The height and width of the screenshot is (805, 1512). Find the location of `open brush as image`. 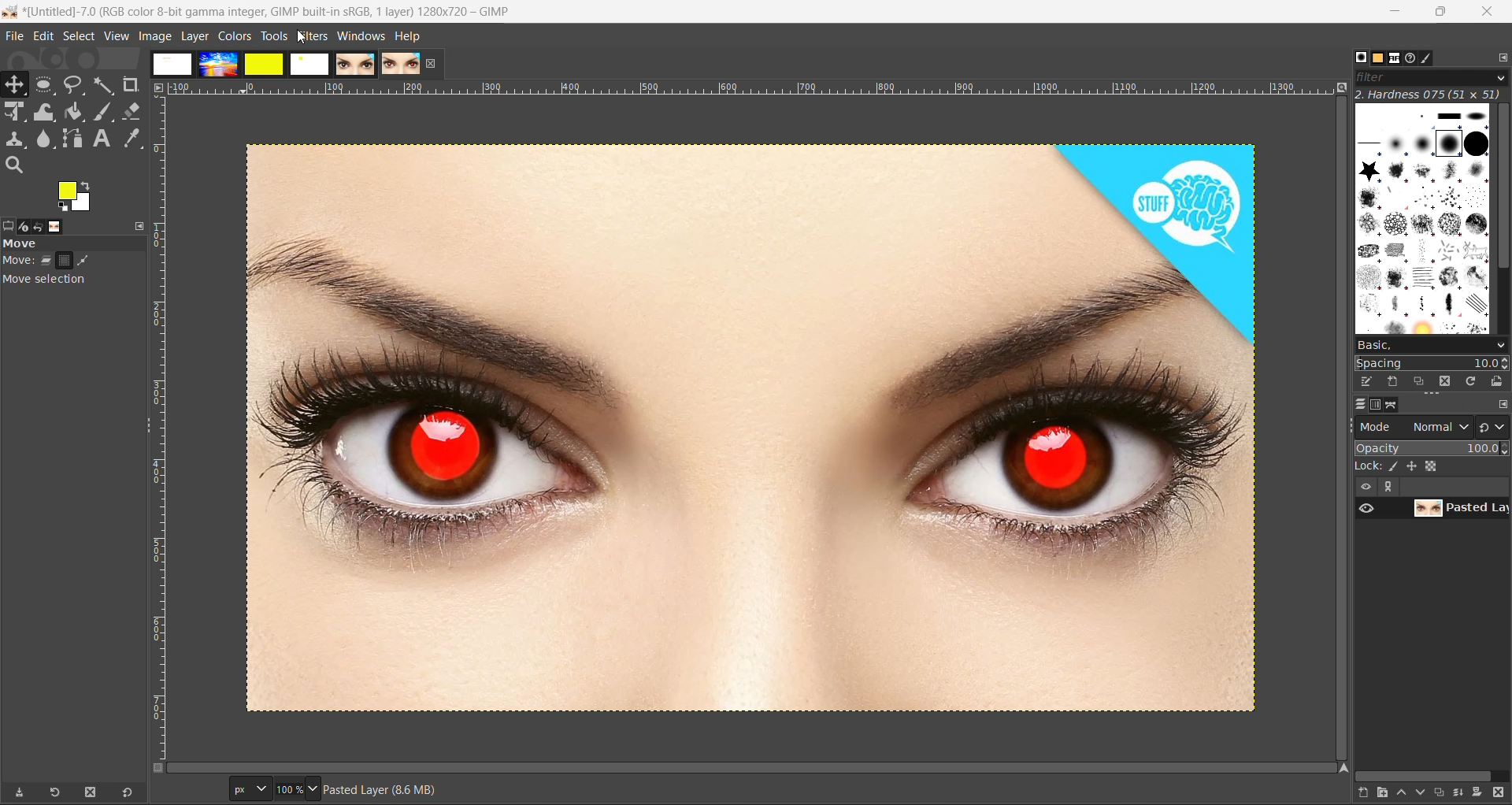

open brush as image is located at coordinates (1497, 383).